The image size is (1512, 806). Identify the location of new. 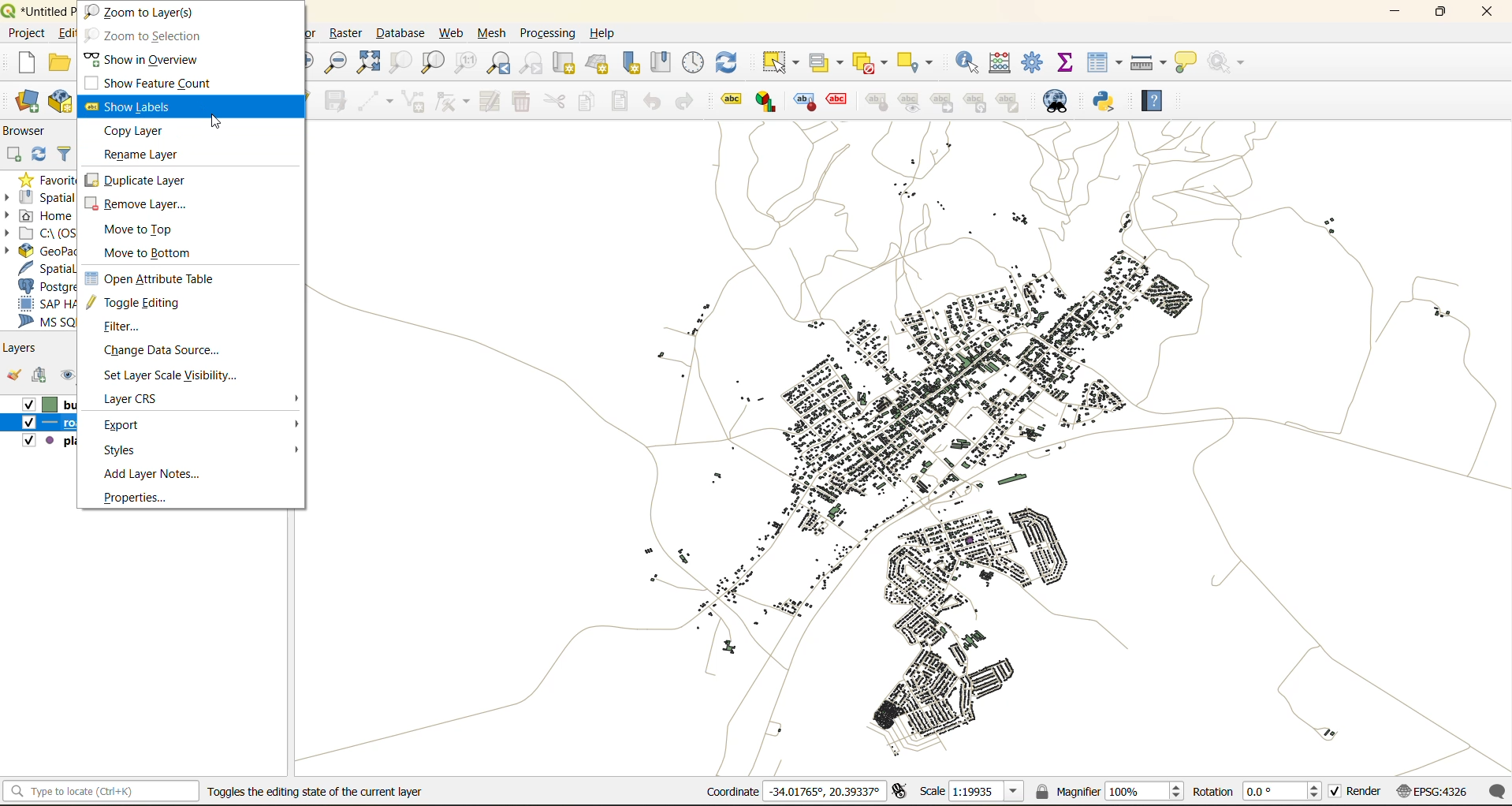
(23, 62).